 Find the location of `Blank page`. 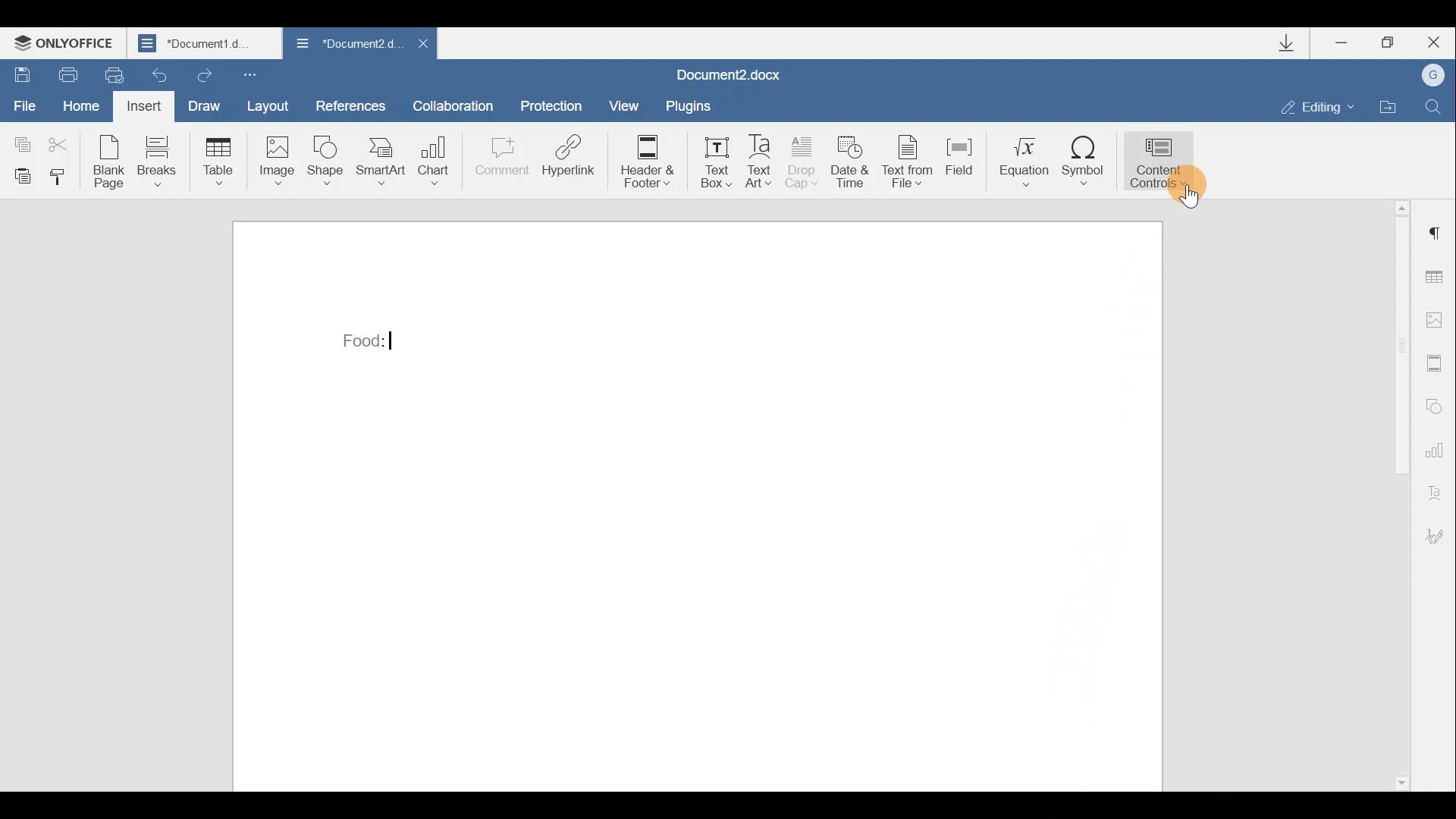

Blank page is located at coordinates (108, 162).